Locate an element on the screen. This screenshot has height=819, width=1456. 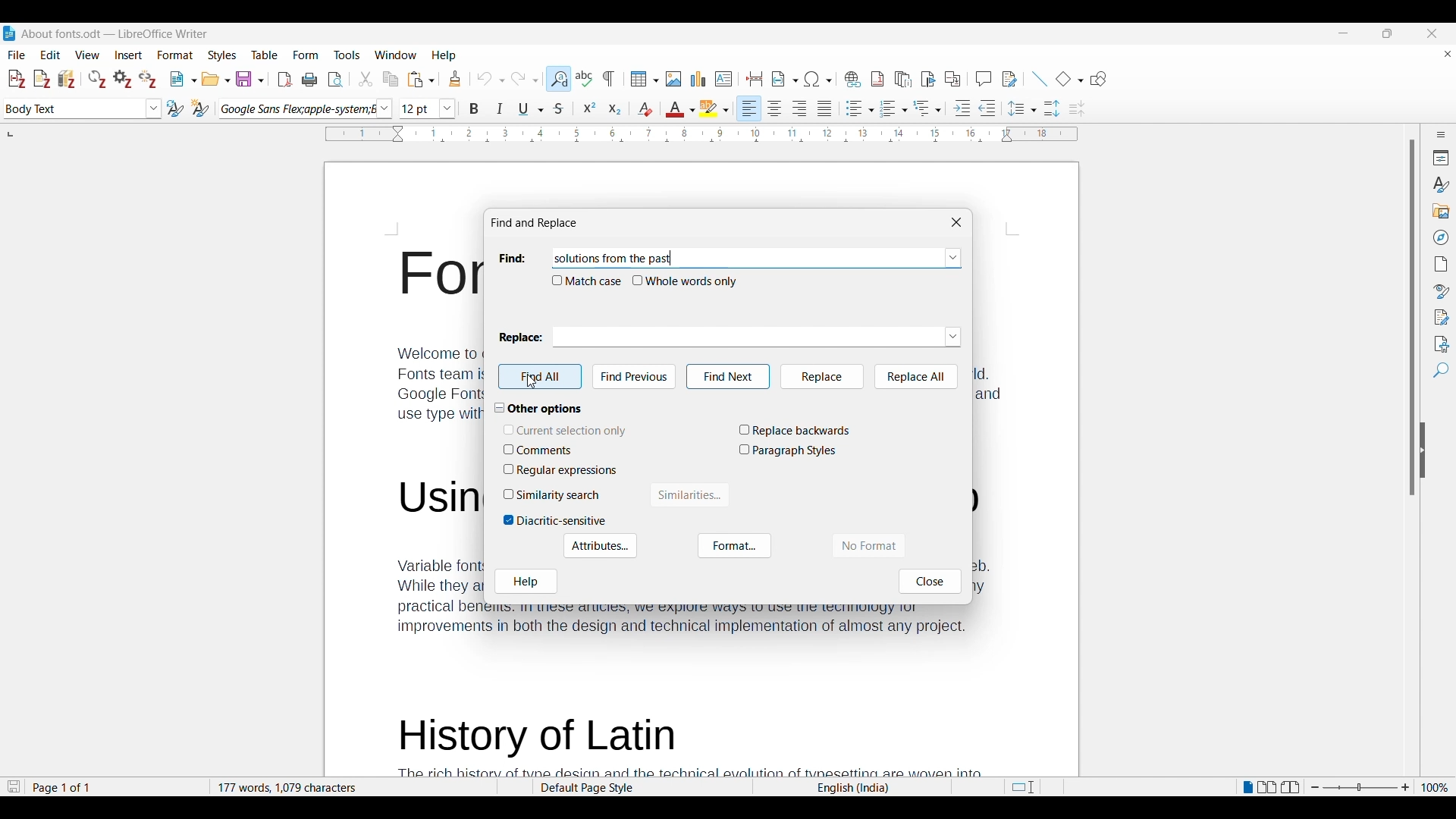
Toggle for whole words only is located at coordinates (686, 281).